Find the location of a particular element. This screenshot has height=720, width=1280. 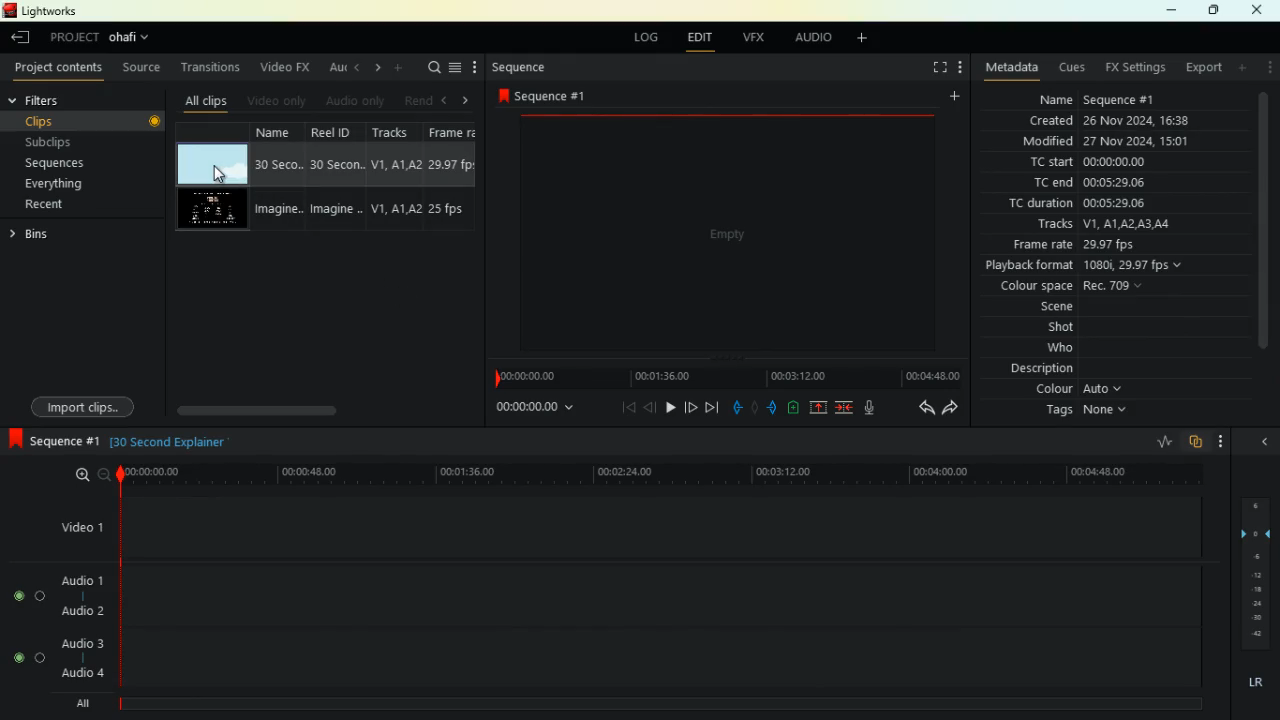

scene is located at coordinates (1062, 308).